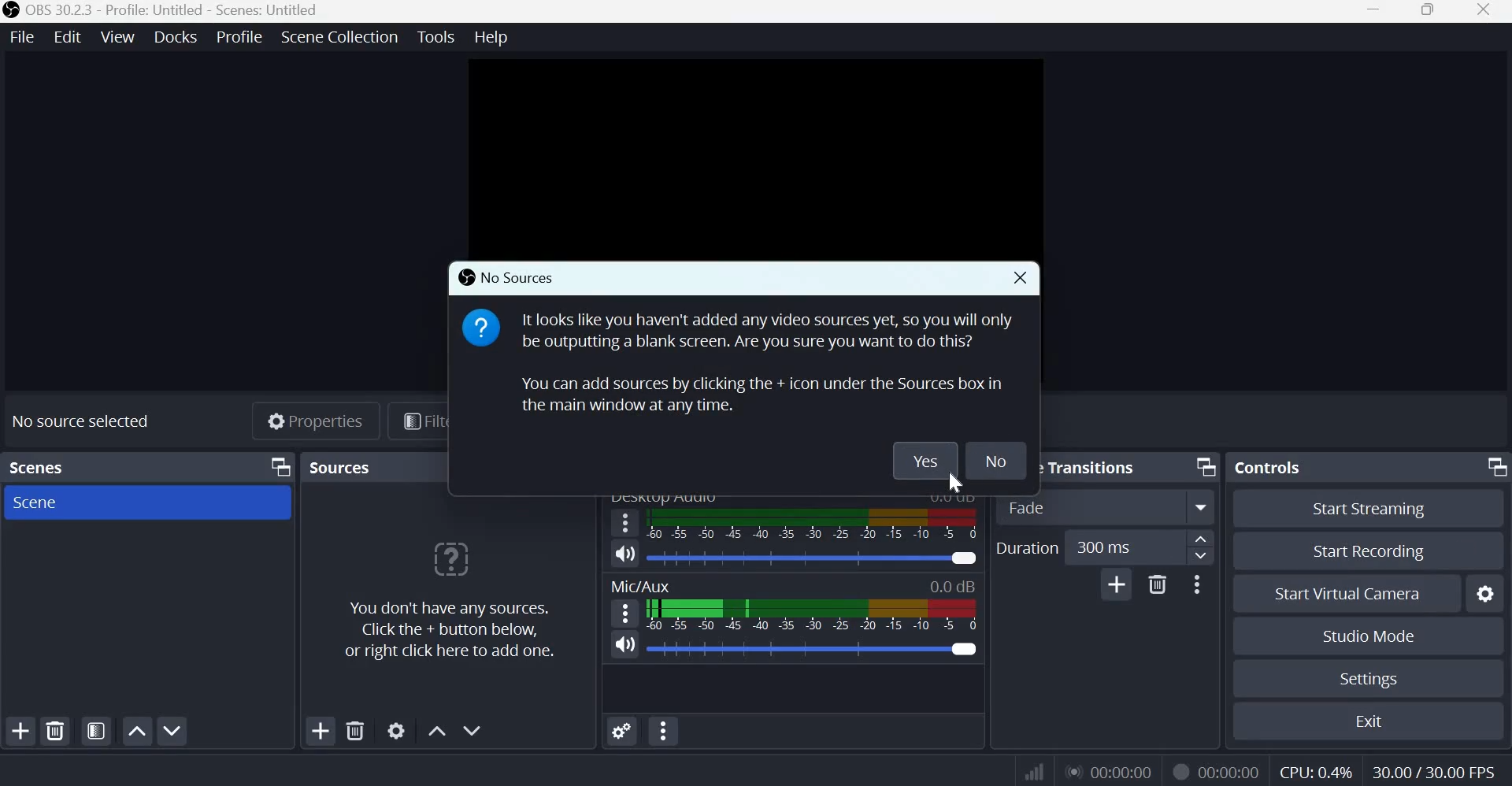  I want to click on Studio mode, so click(1367, 636).